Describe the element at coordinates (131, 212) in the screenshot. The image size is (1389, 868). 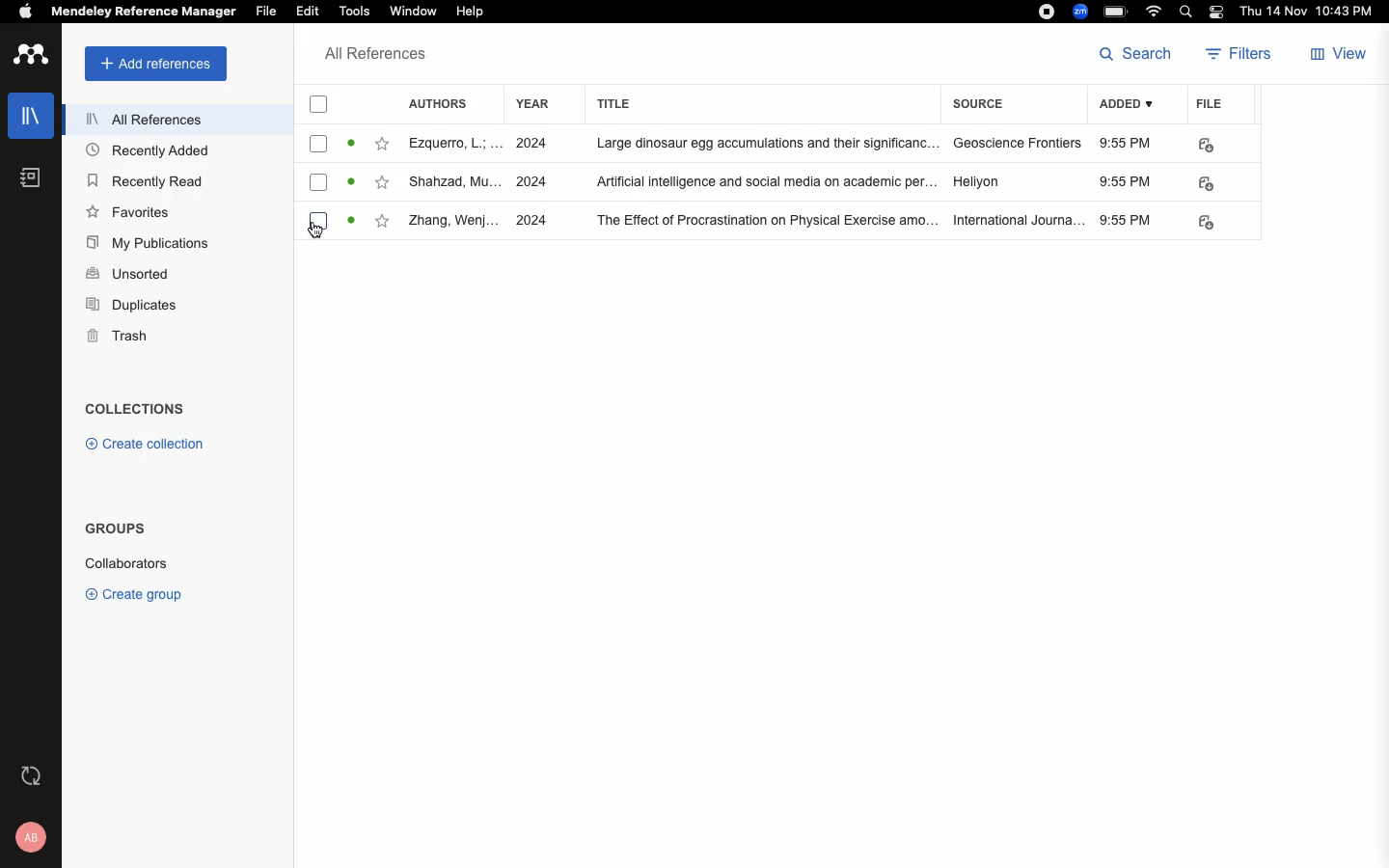
I see `Favorites` at that location.